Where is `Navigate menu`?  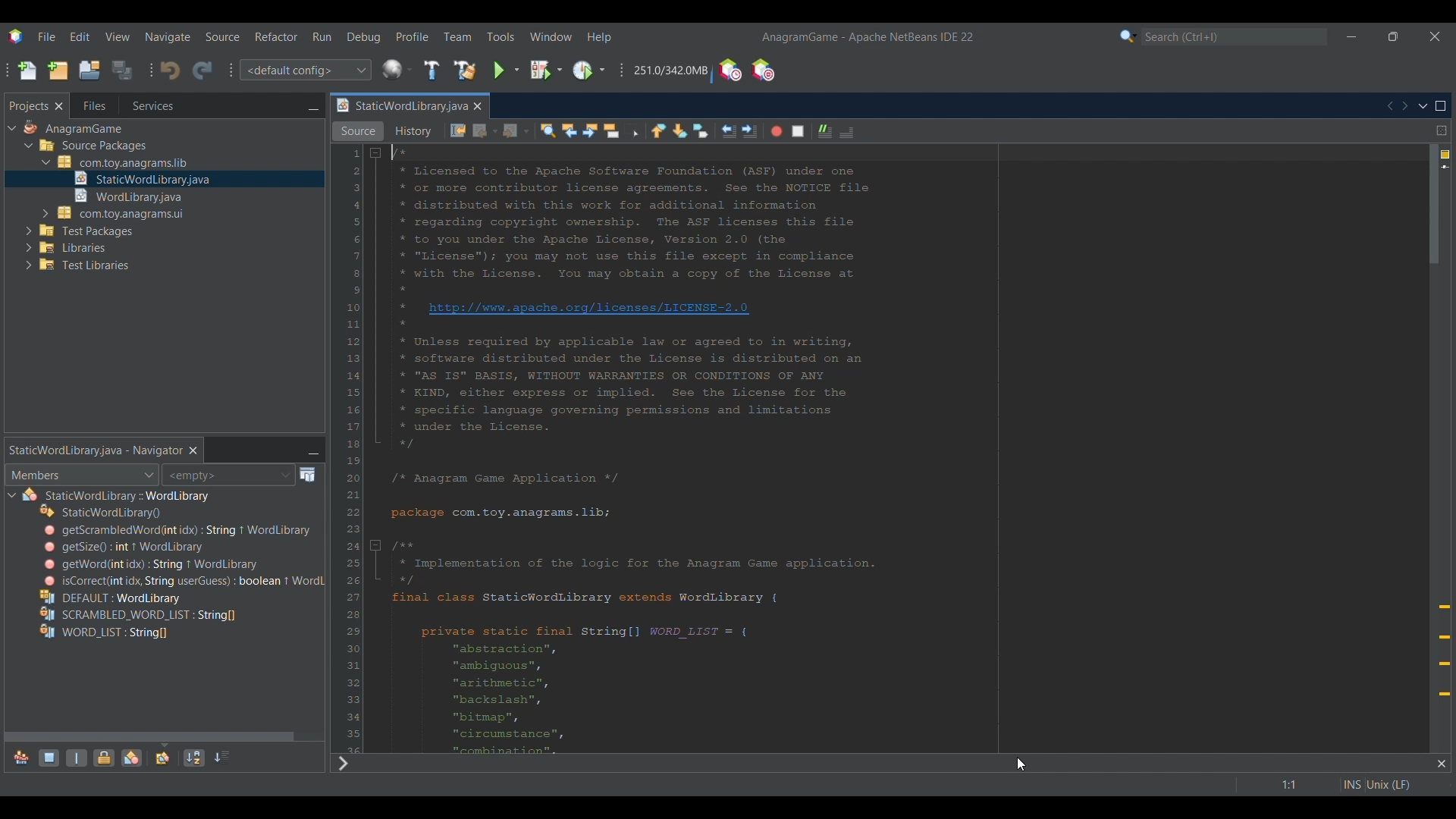 Navigate menu is located at coordinates (167, 36).